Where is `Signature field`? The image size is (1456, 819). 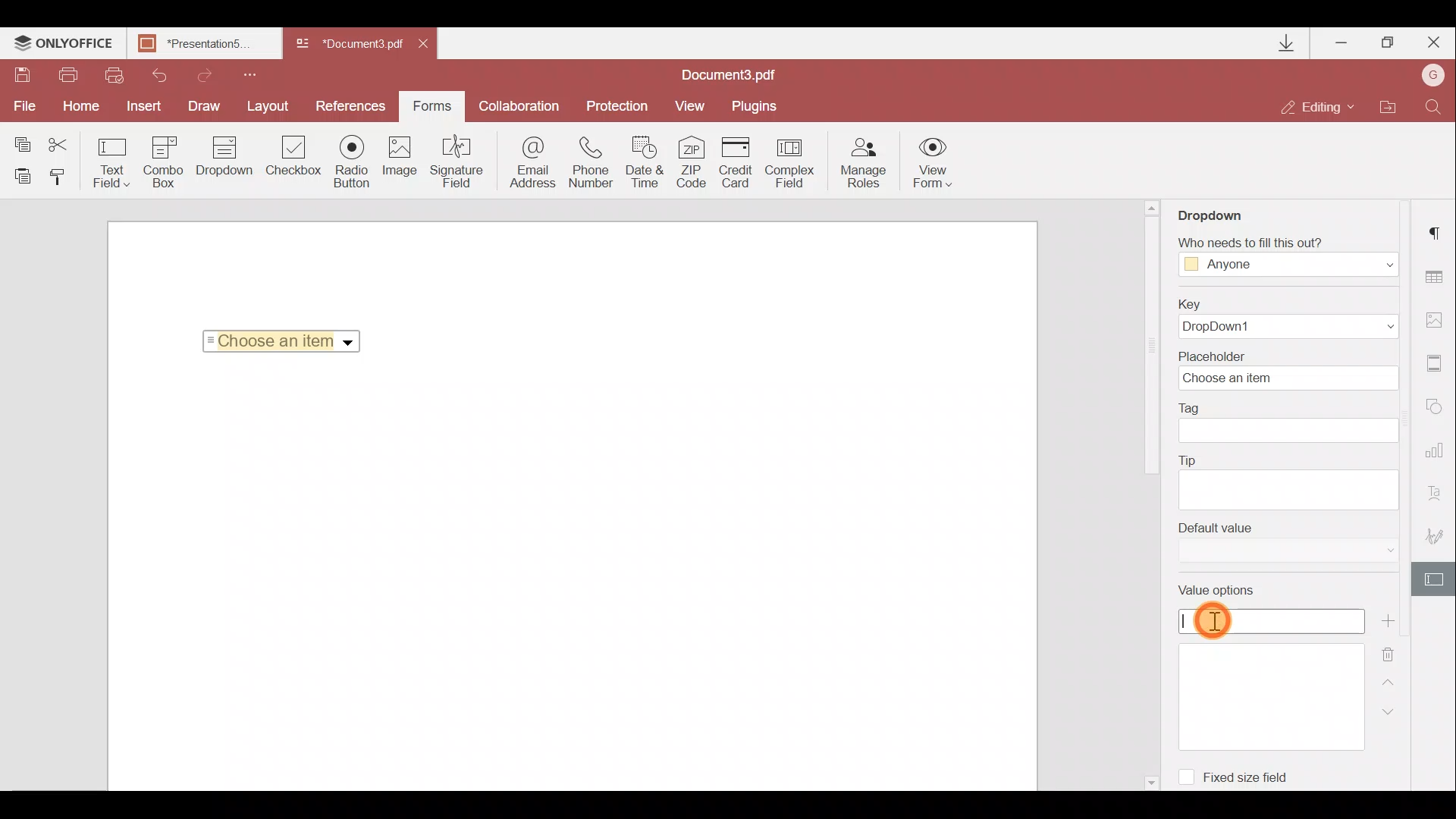
Signature field is located at coordinates (453, 161).